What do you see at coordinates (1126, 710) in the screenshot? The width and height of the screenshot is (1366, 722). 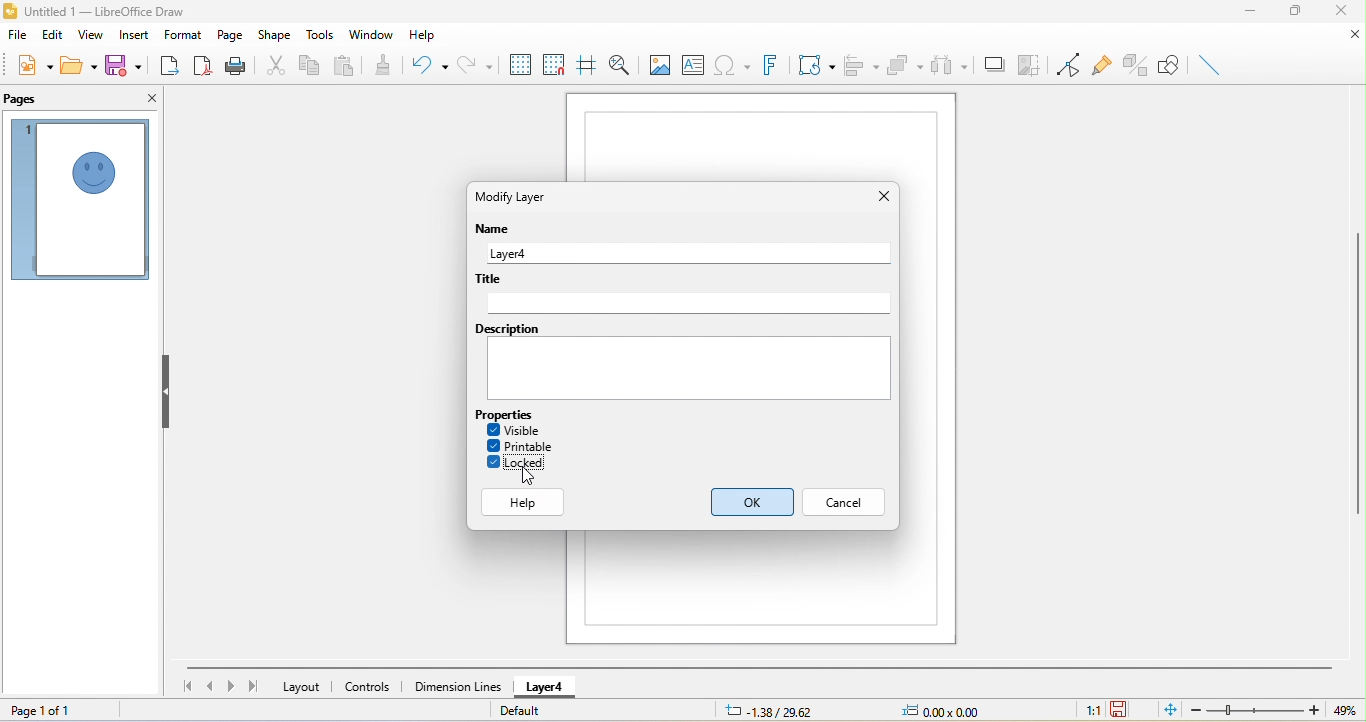 I see `the document has not been modified since the last save ` at bounding box center [1126, 710].